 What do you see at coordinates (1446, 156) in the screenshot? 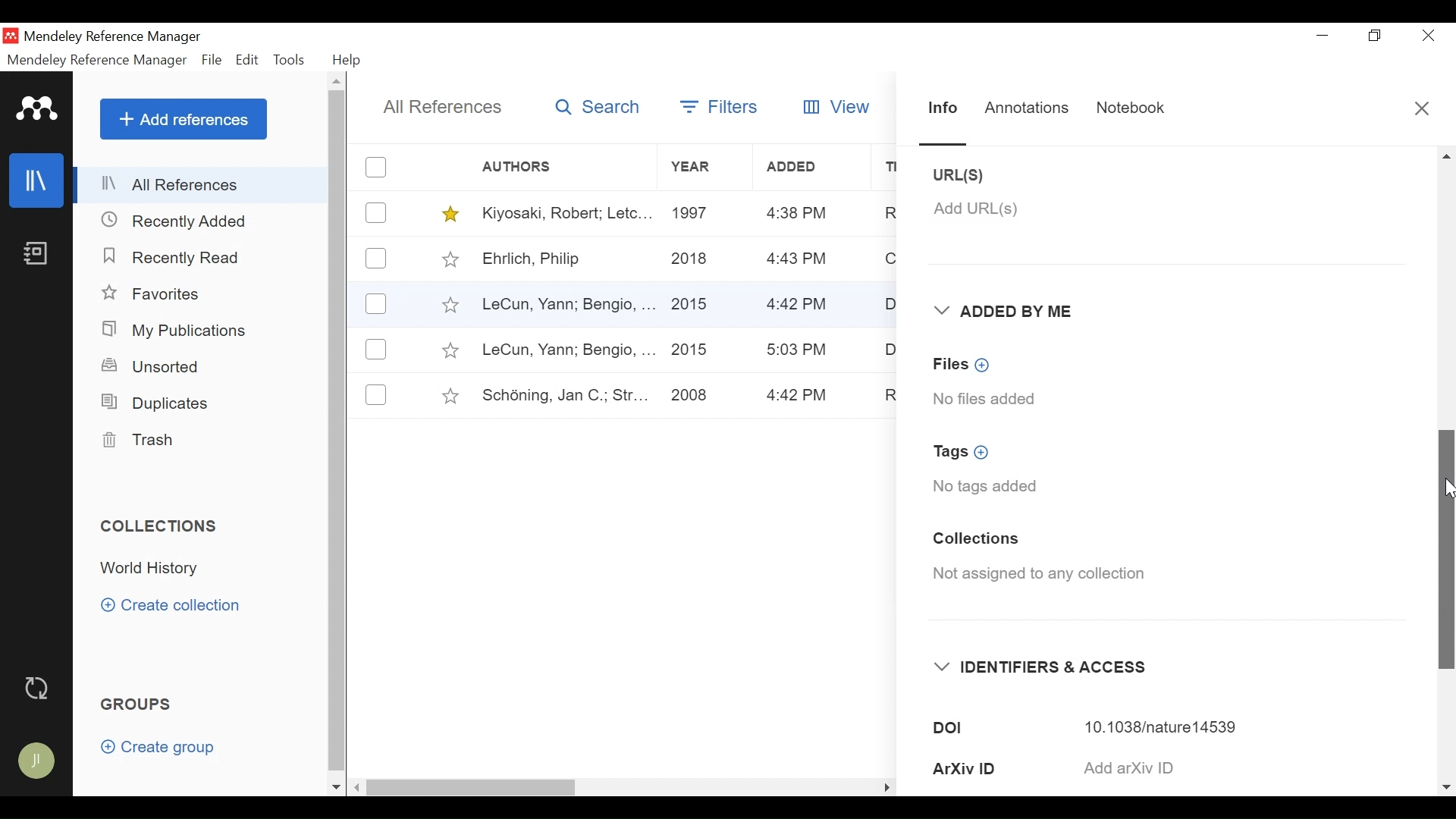
I see `Up` at bounding box center [1446, 156].